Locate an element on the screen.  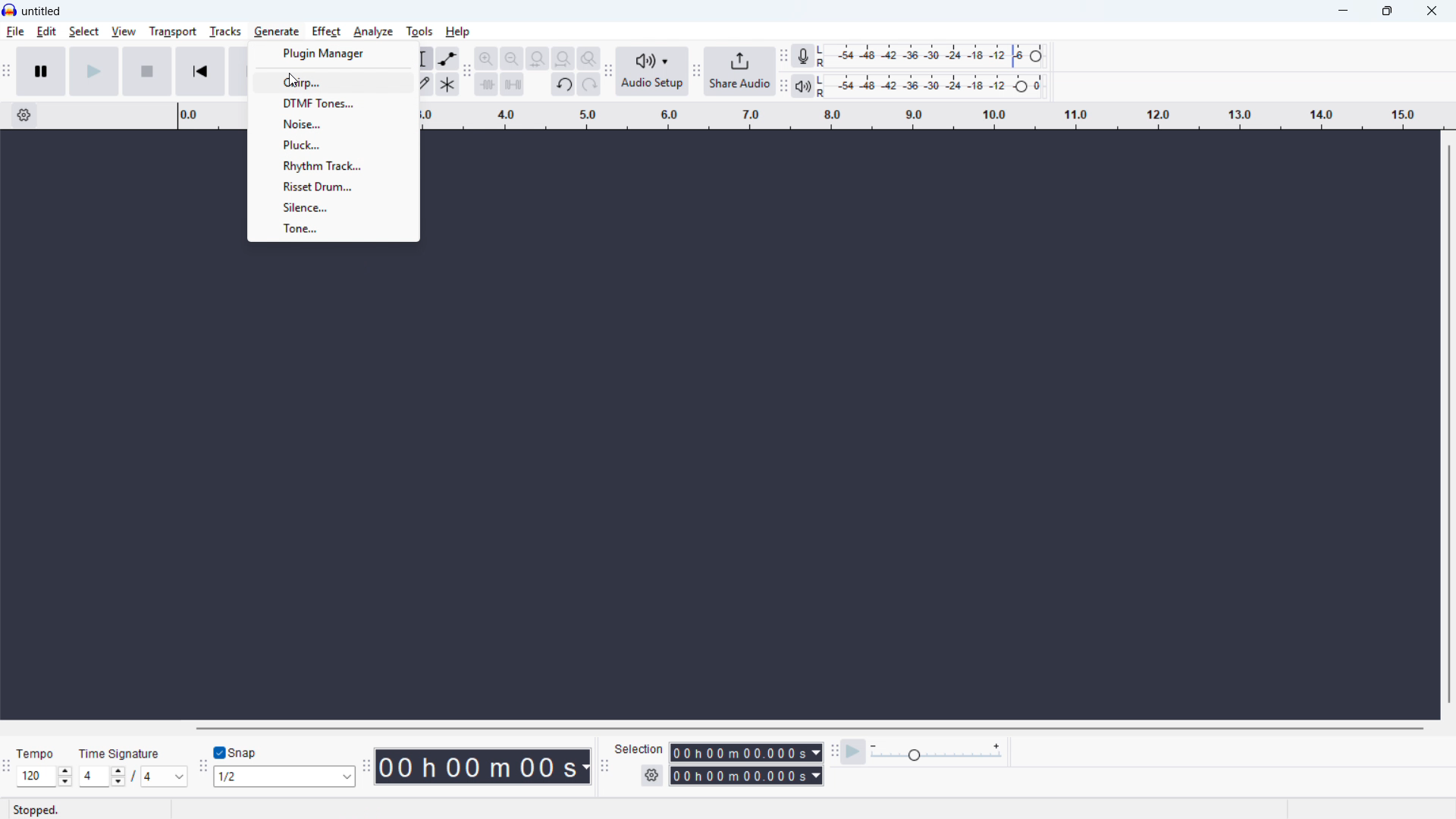
Fit project to width  is located at coordinates (564, 58).